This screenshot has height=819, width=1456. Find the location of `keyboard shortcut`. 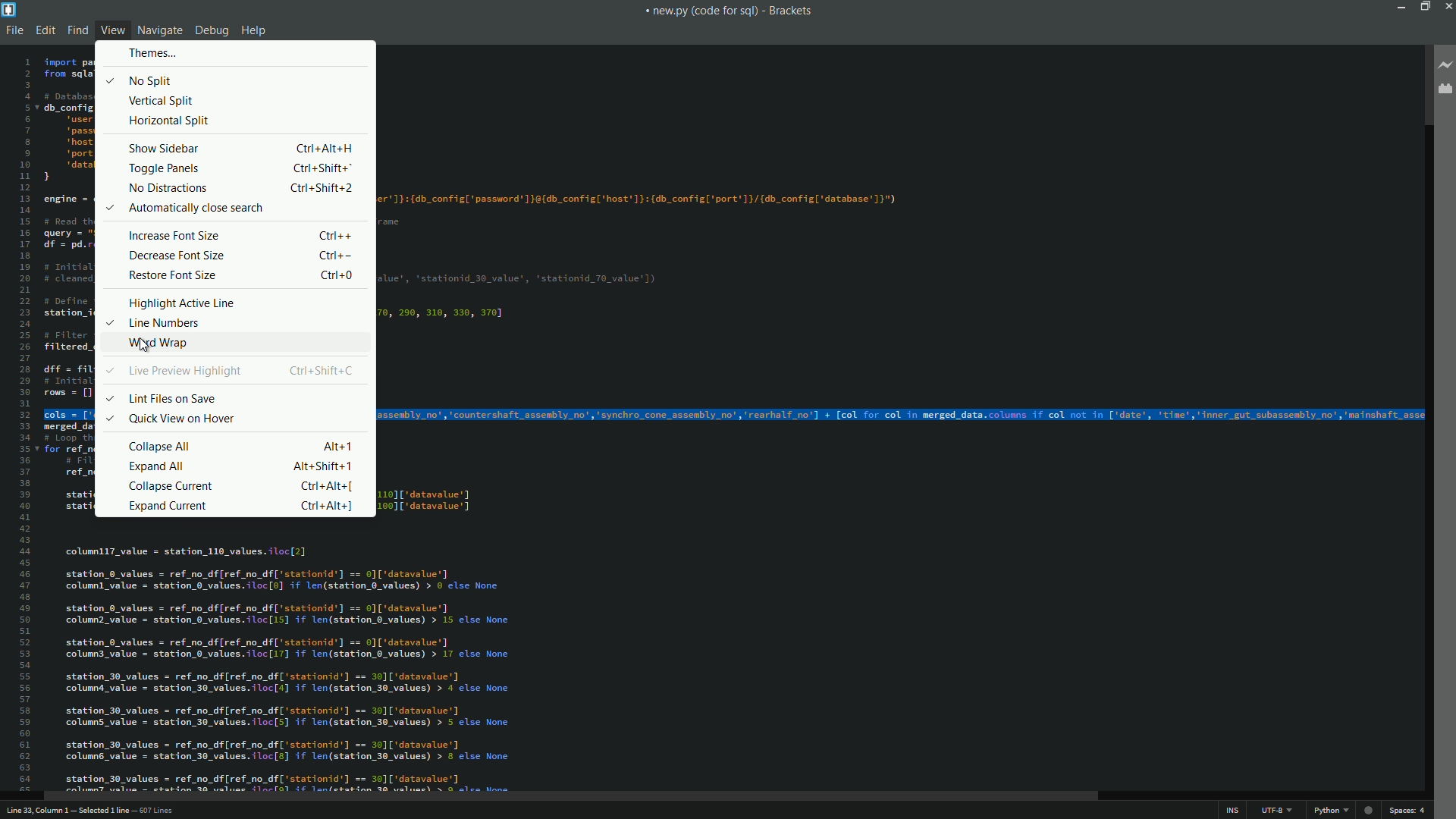

keyboard shortcut is located at coordinates (339, 447).